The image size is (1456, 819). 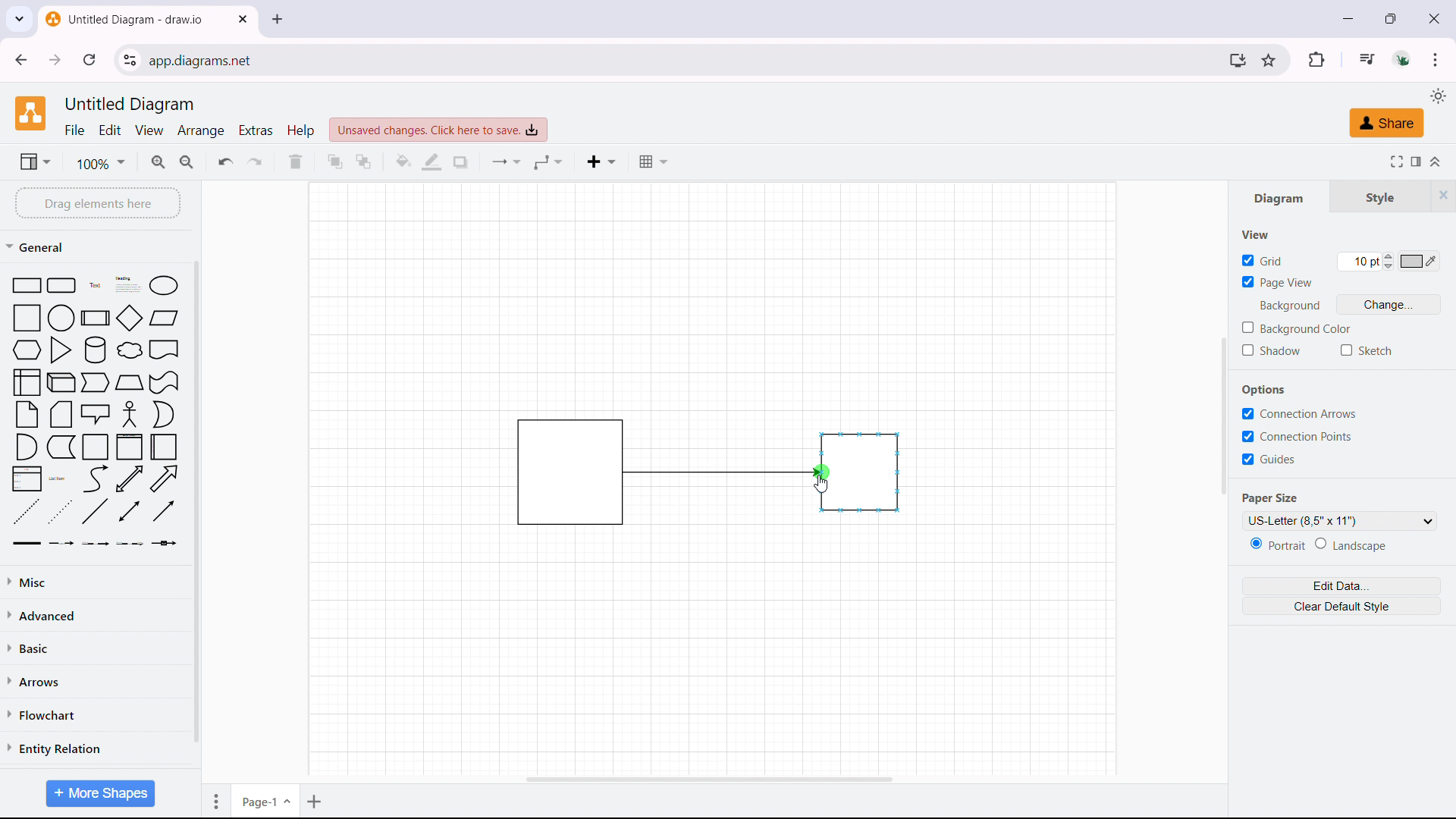 I want to click on shadow, so click(x=1269, y=351).